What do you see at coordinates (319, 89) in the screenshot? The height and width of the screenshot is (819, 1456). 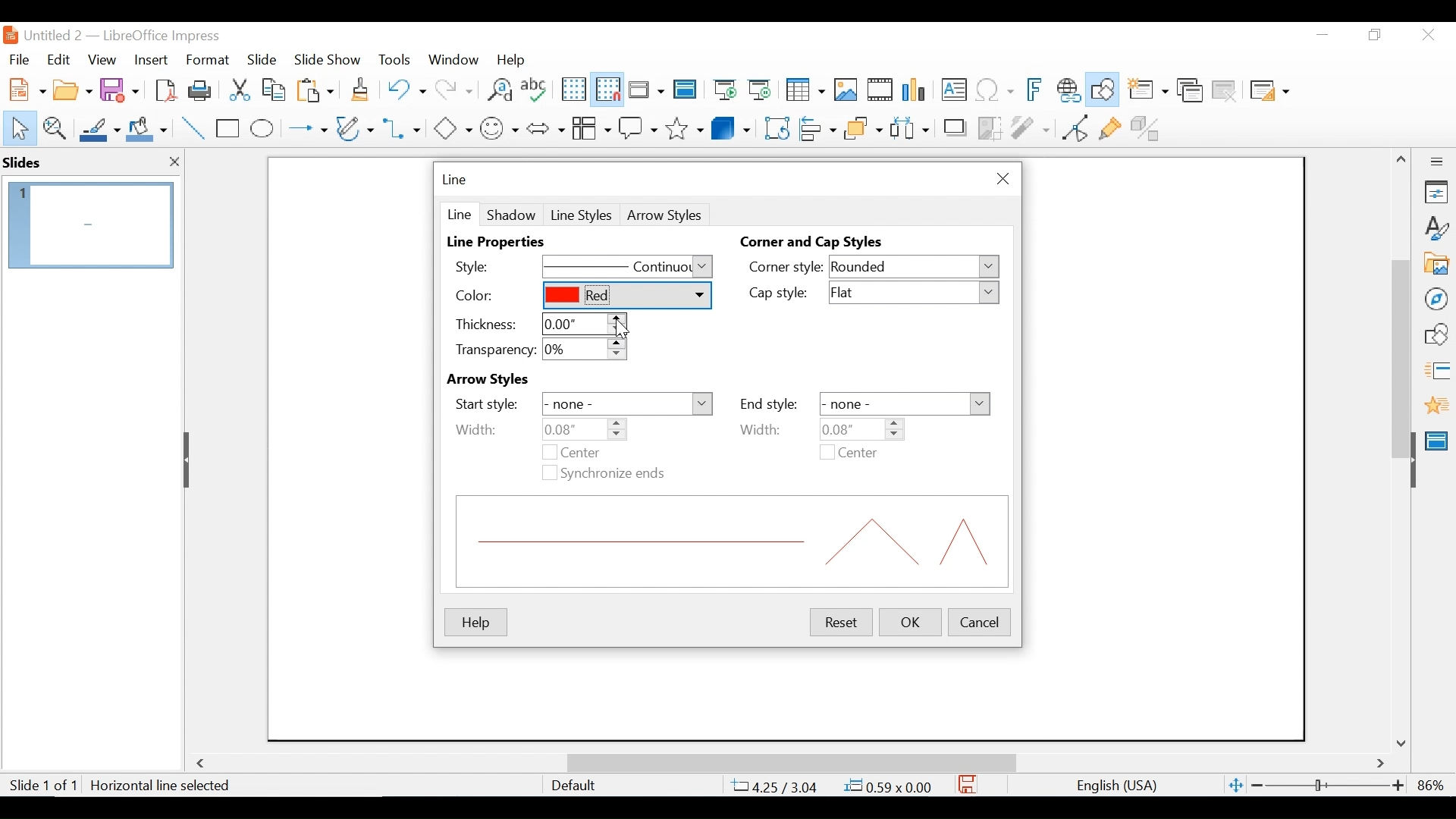 I see `Paste` at bounding box center [319, 89].